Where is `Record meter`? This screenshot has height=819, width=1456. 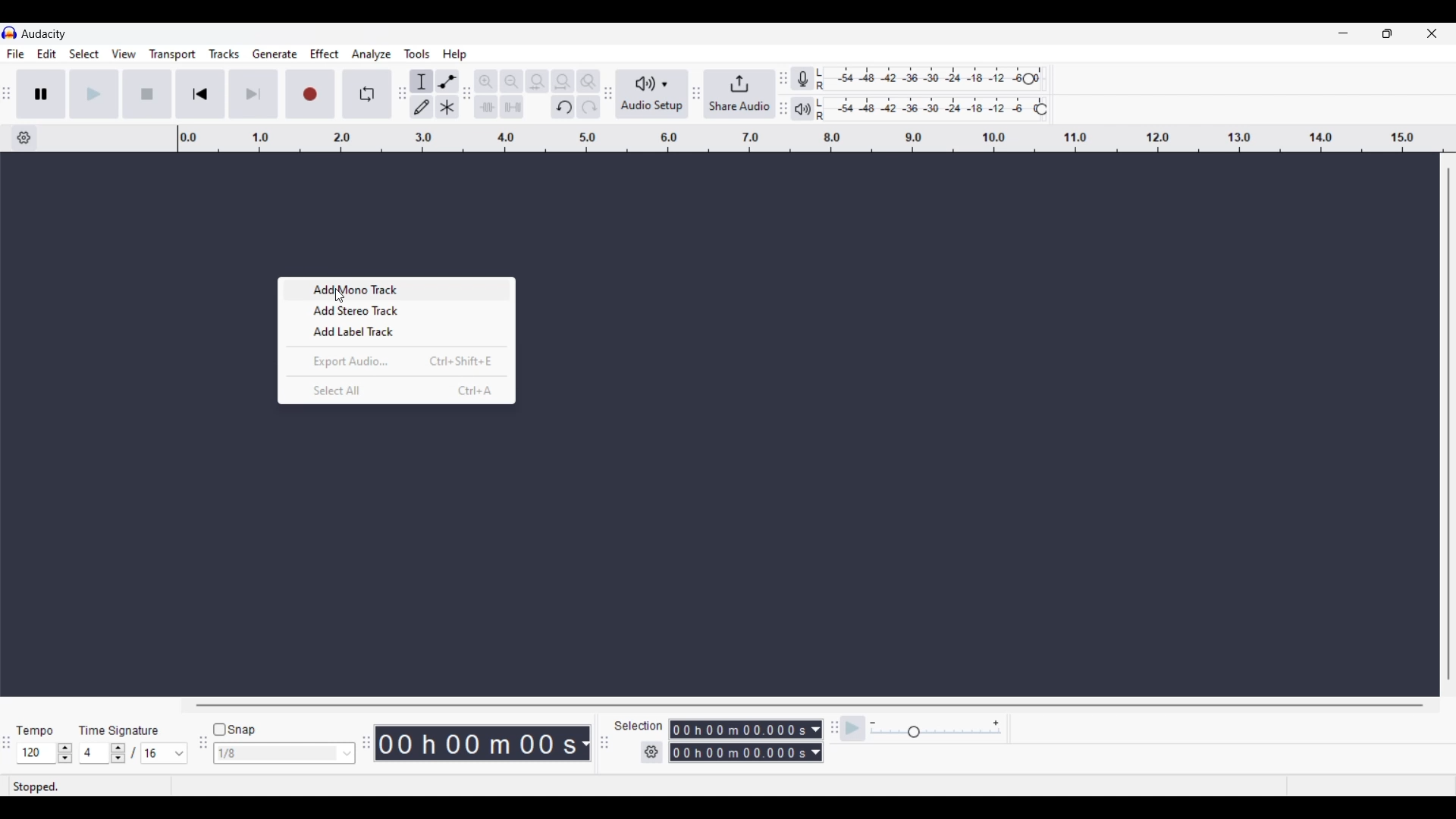 Record meter is located at coordinates (808, 79).